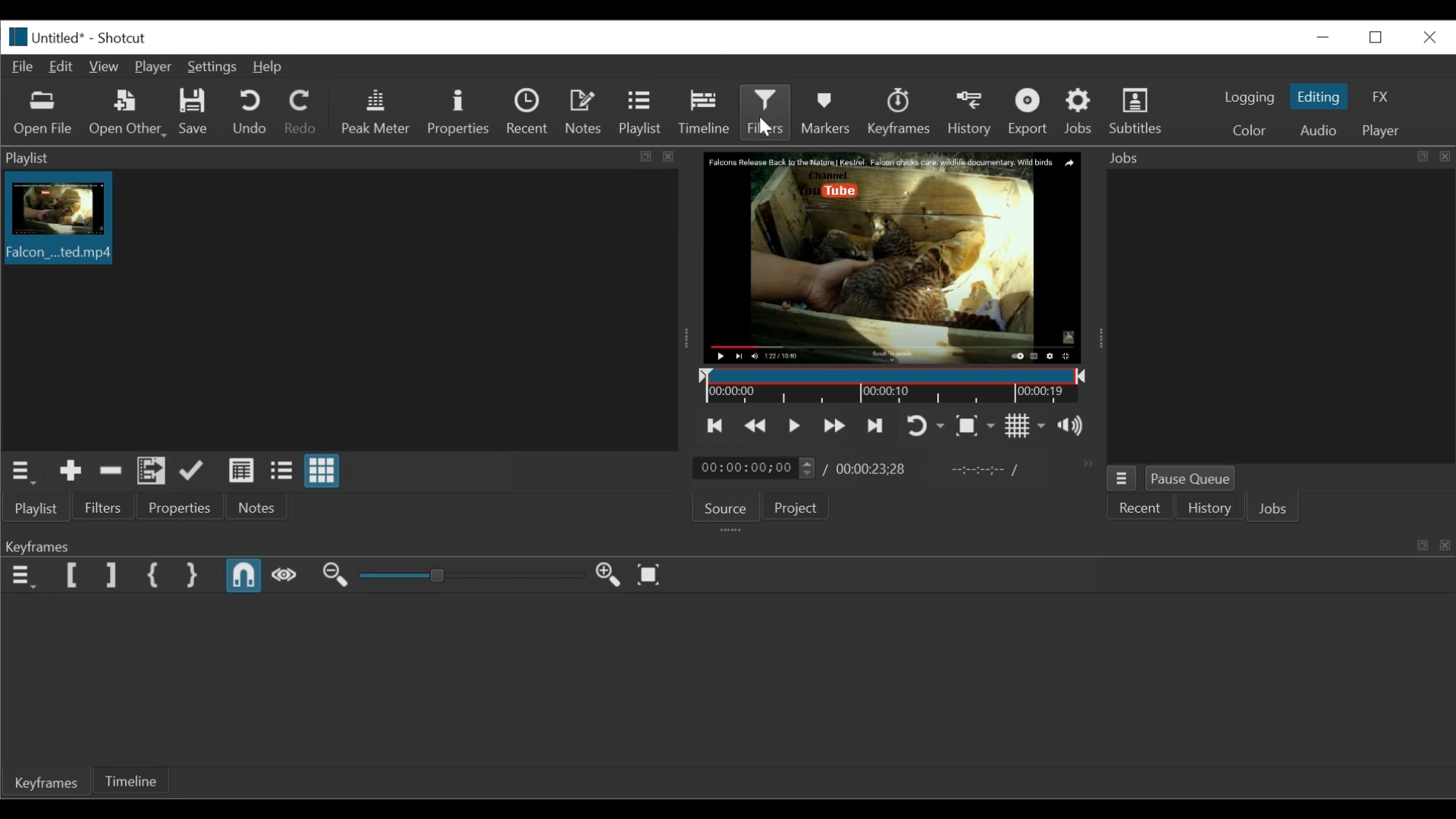  I want to click on Skip to the next point, so click(872, 427).